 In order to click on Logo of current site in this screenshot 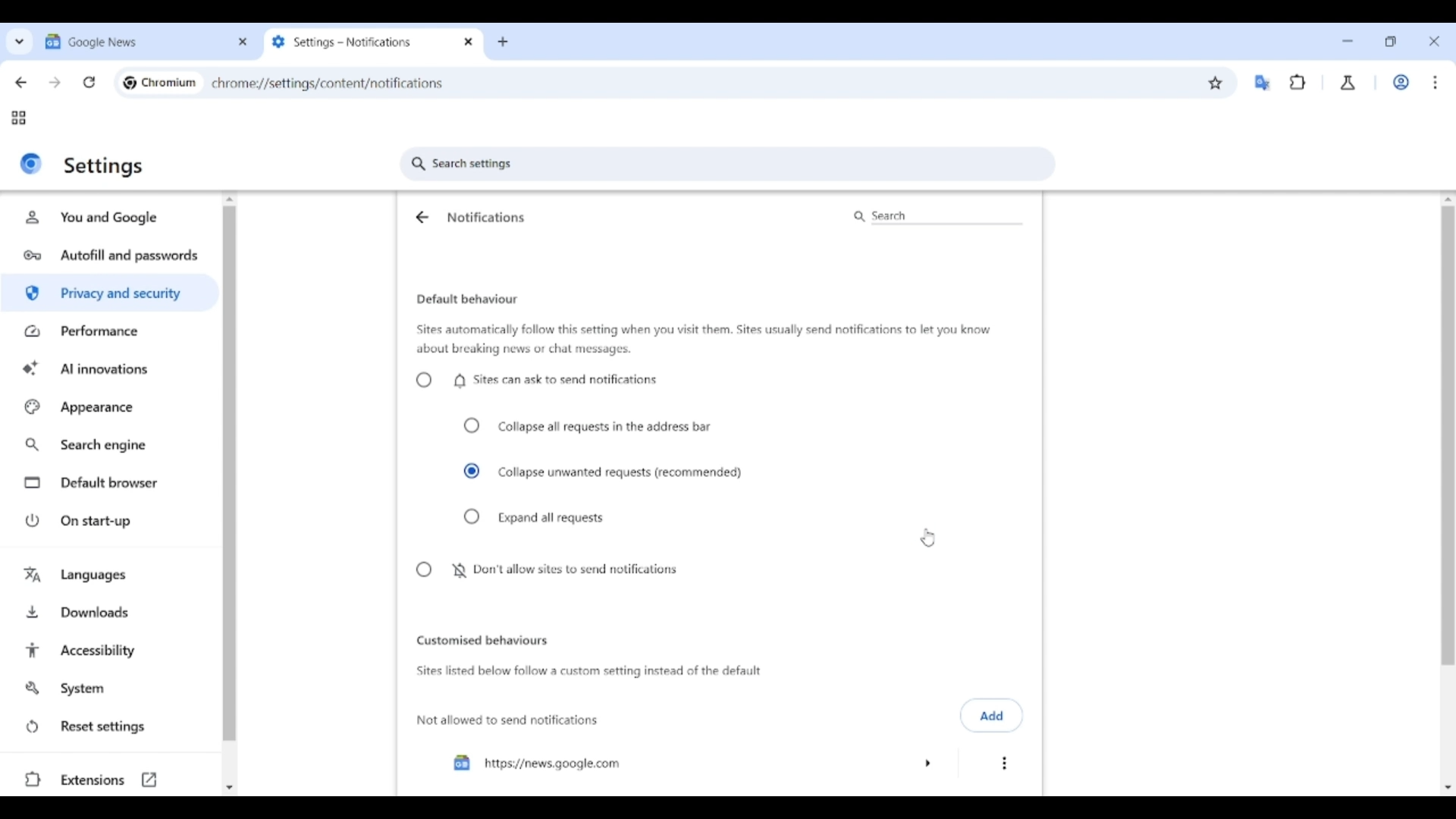, I will do `click(31, 163)`.